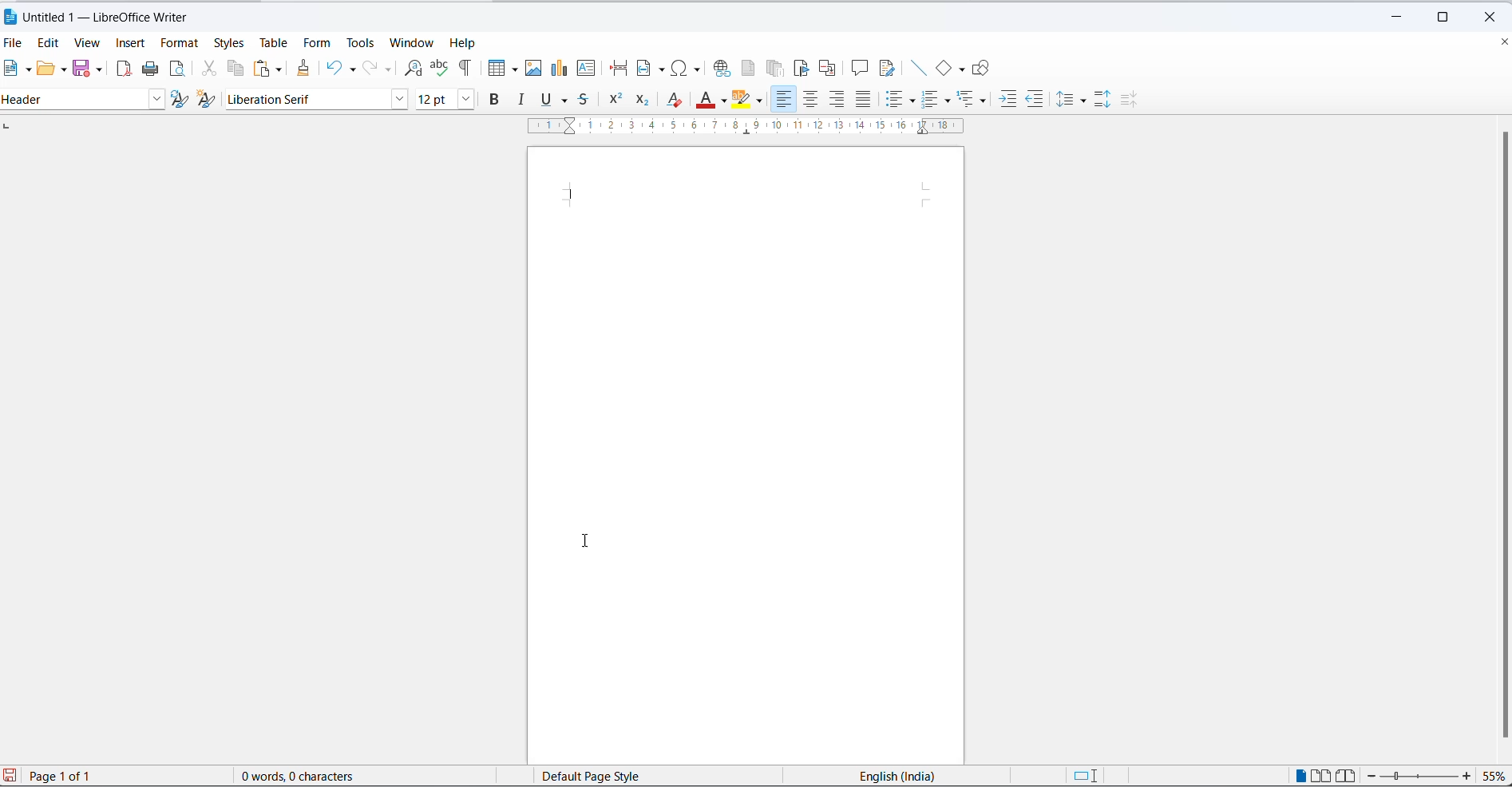  What do you see at coordinates (745, 99) in the screenshot?
I see `character highlighting` at bounding box center [745, 99].